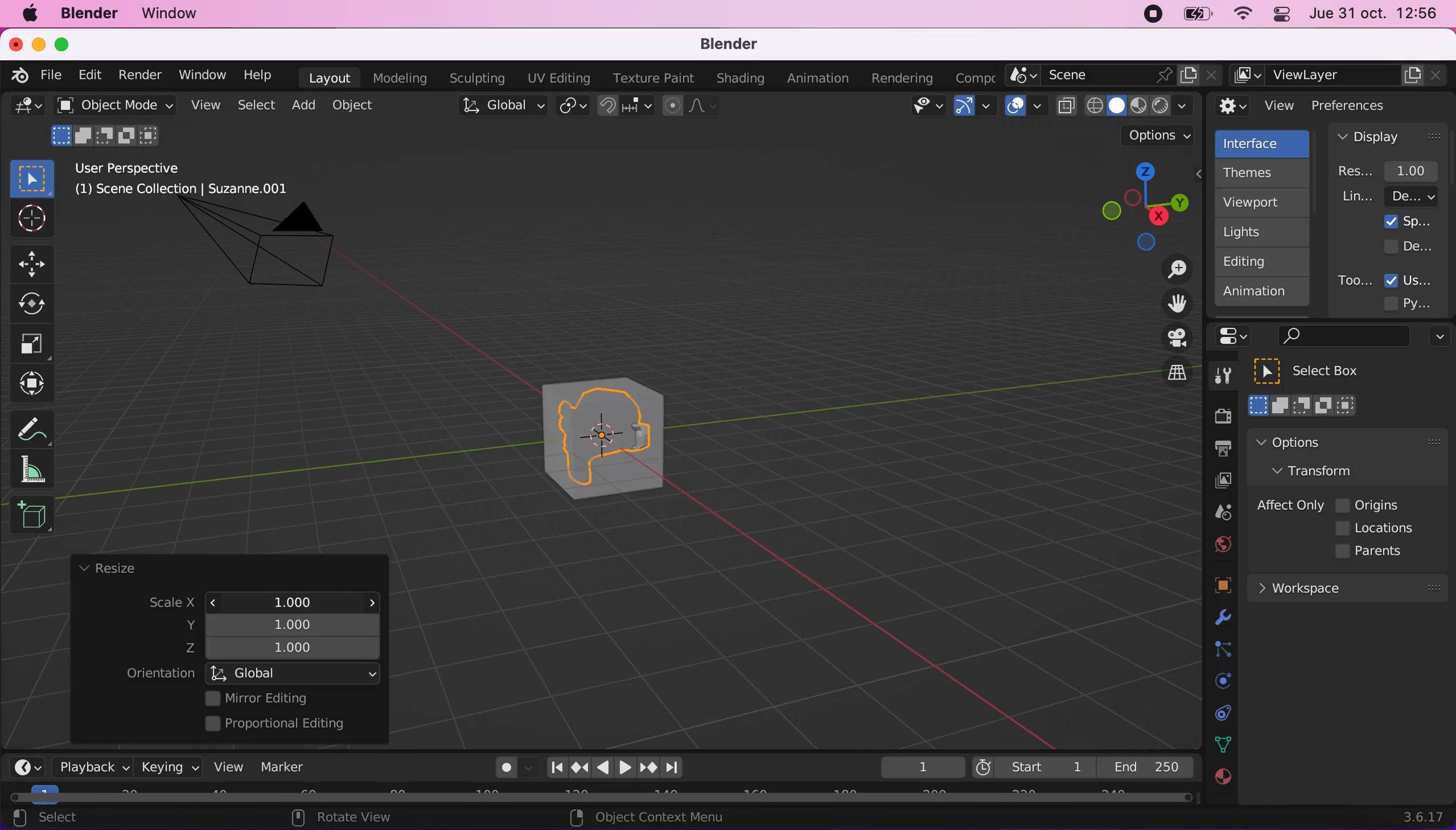 The height and width of the screenshot is (830, 1456). Describe the element at coordinates (974, 109) in the screenshot. I see `gizmos` at that location.